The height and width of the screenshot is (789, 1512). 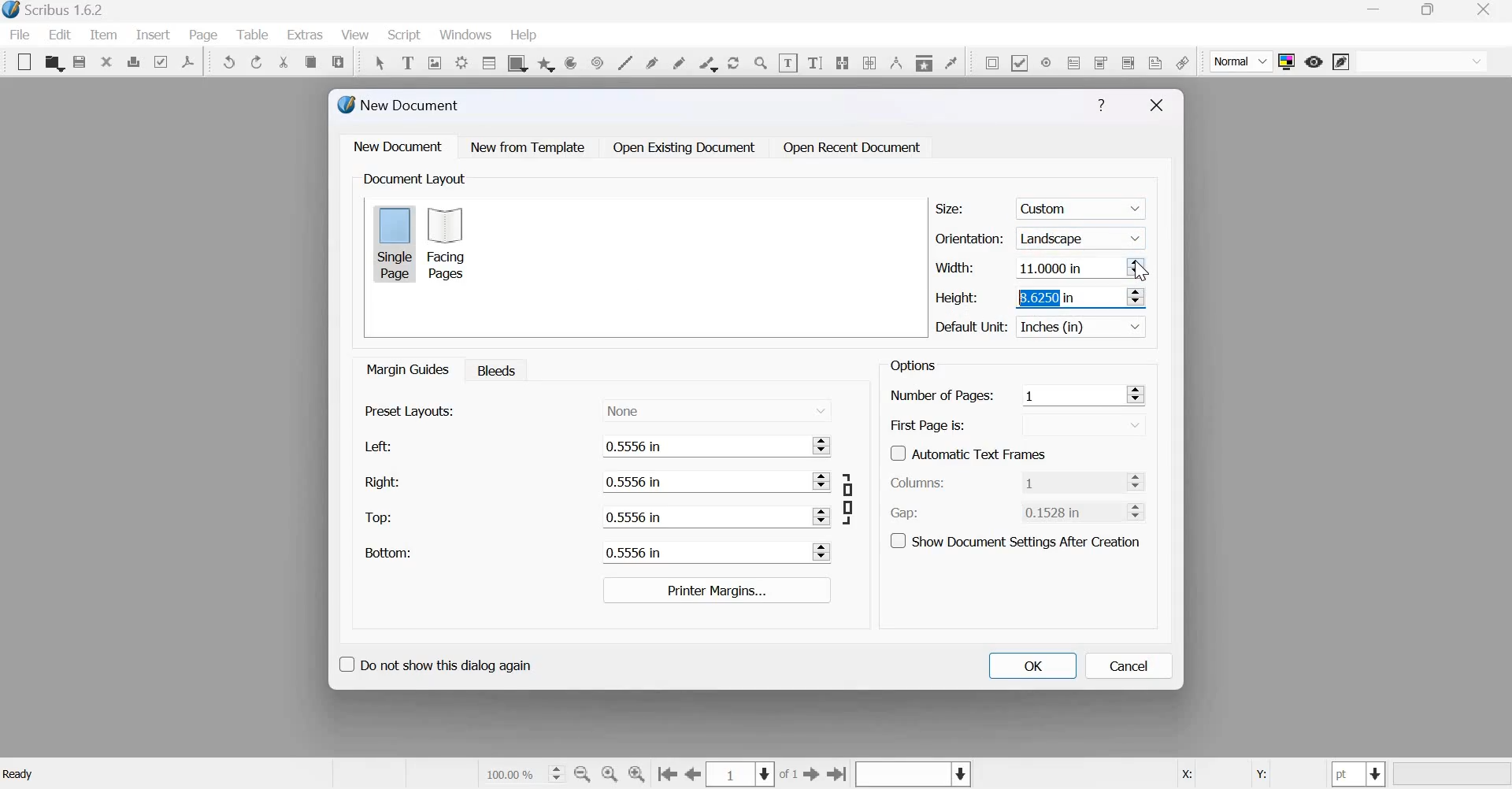 I want to click on First Page is:, so click(x=928, y=424).